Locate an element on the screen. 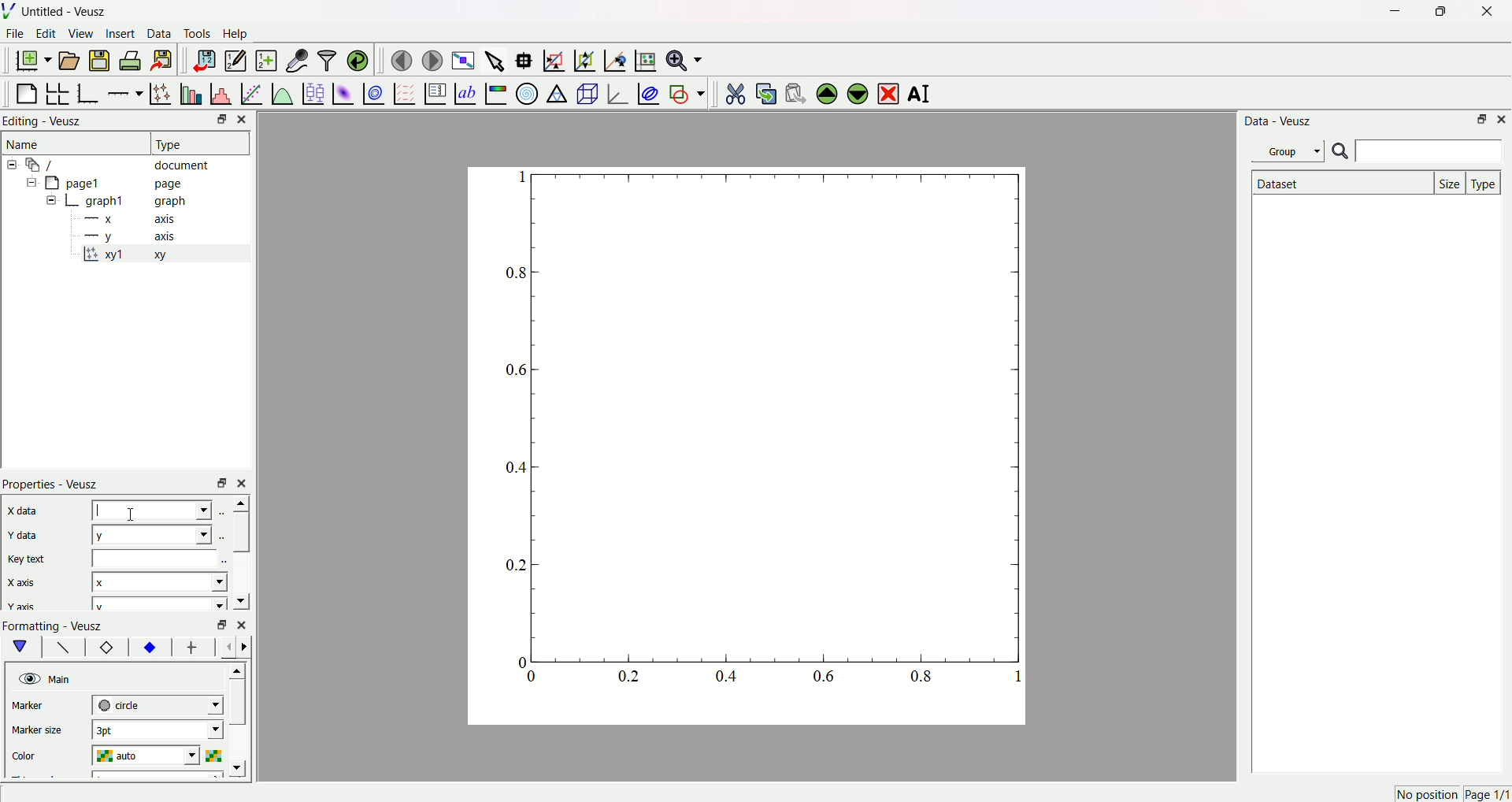 The image size is (1512, 802). base graphs is located at coordinates (90, 91).